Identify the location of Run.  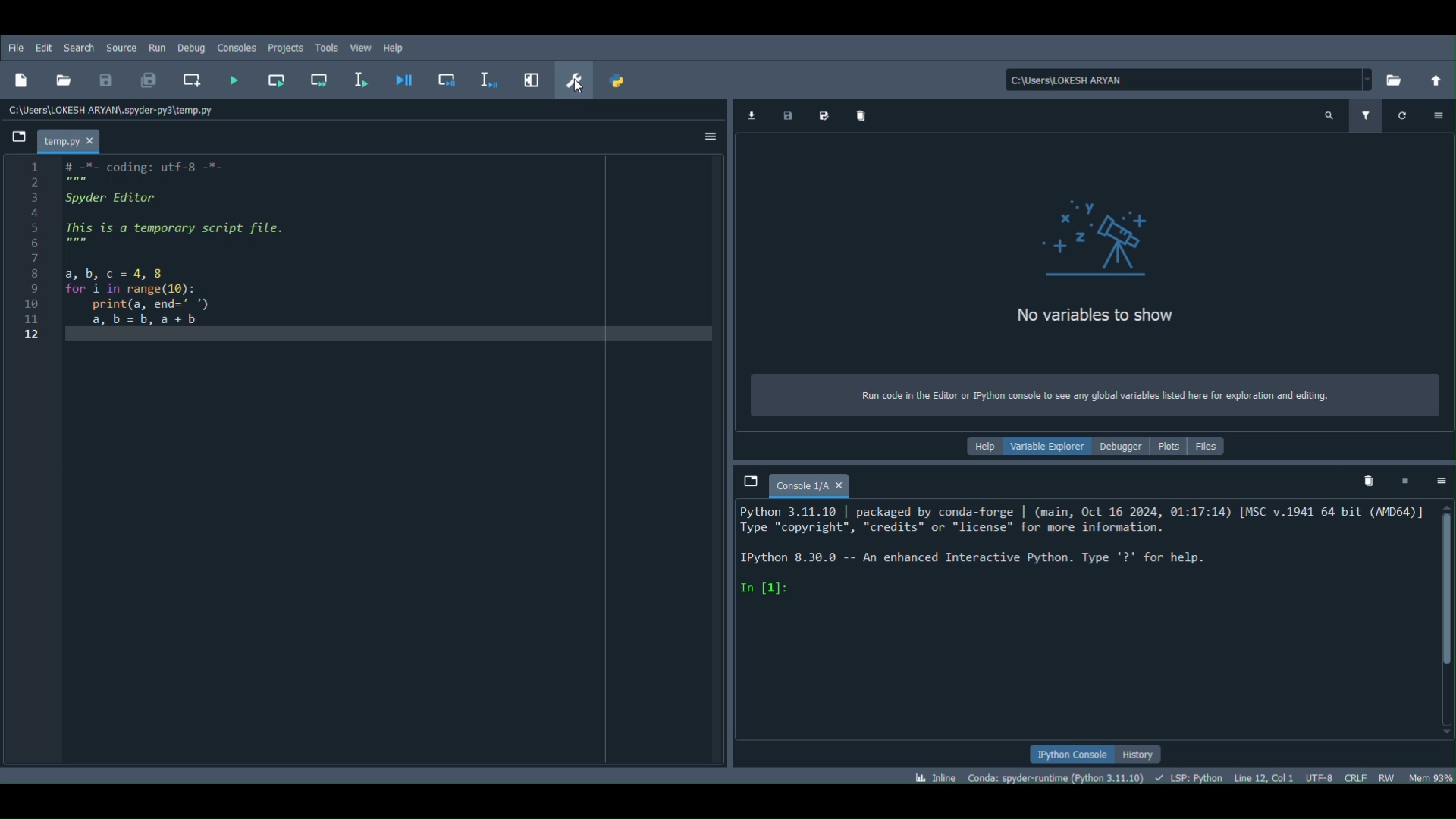
(158, 47).